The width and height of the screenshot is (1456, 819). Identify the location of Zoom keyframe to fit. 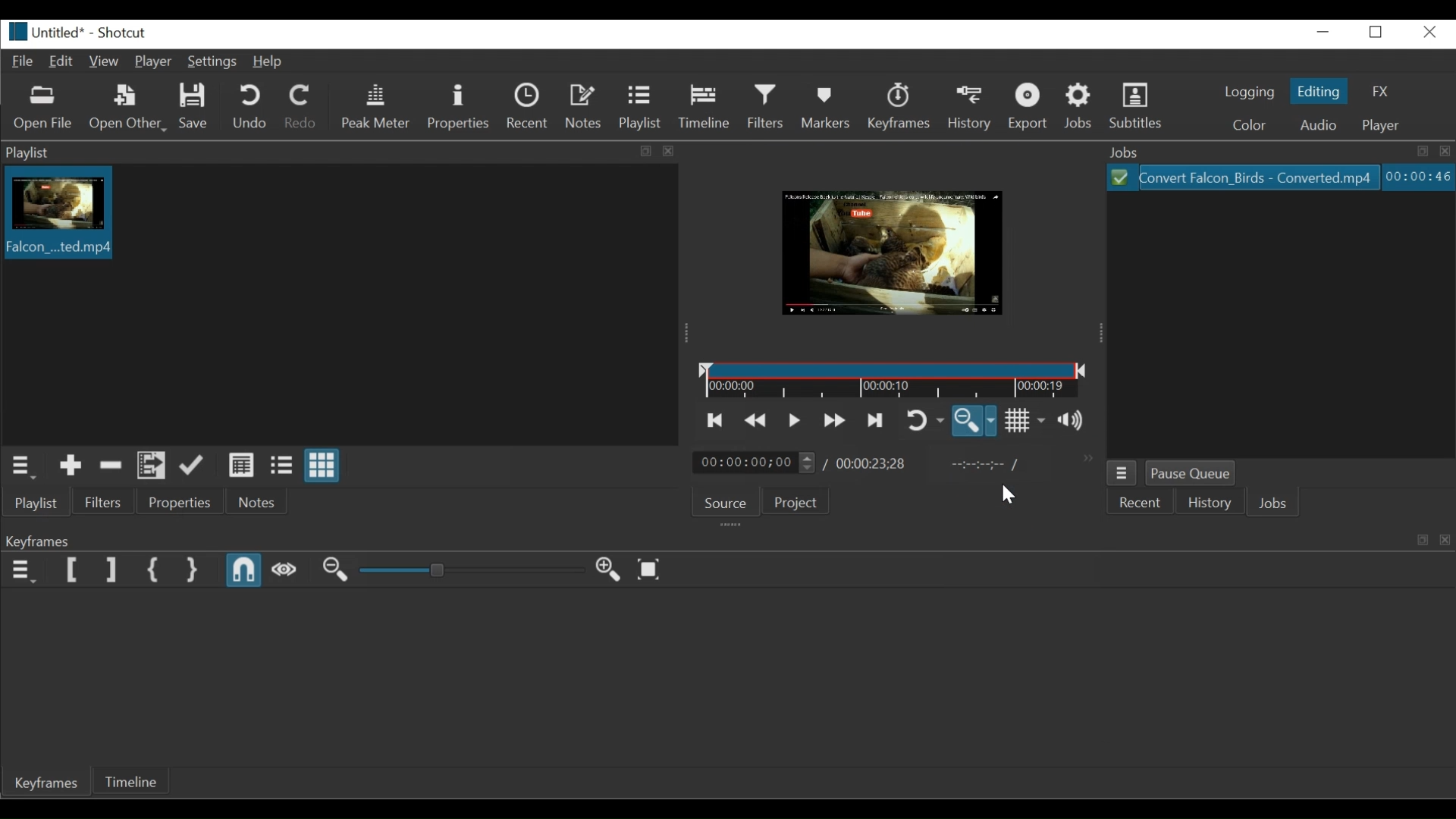
(648, 569).